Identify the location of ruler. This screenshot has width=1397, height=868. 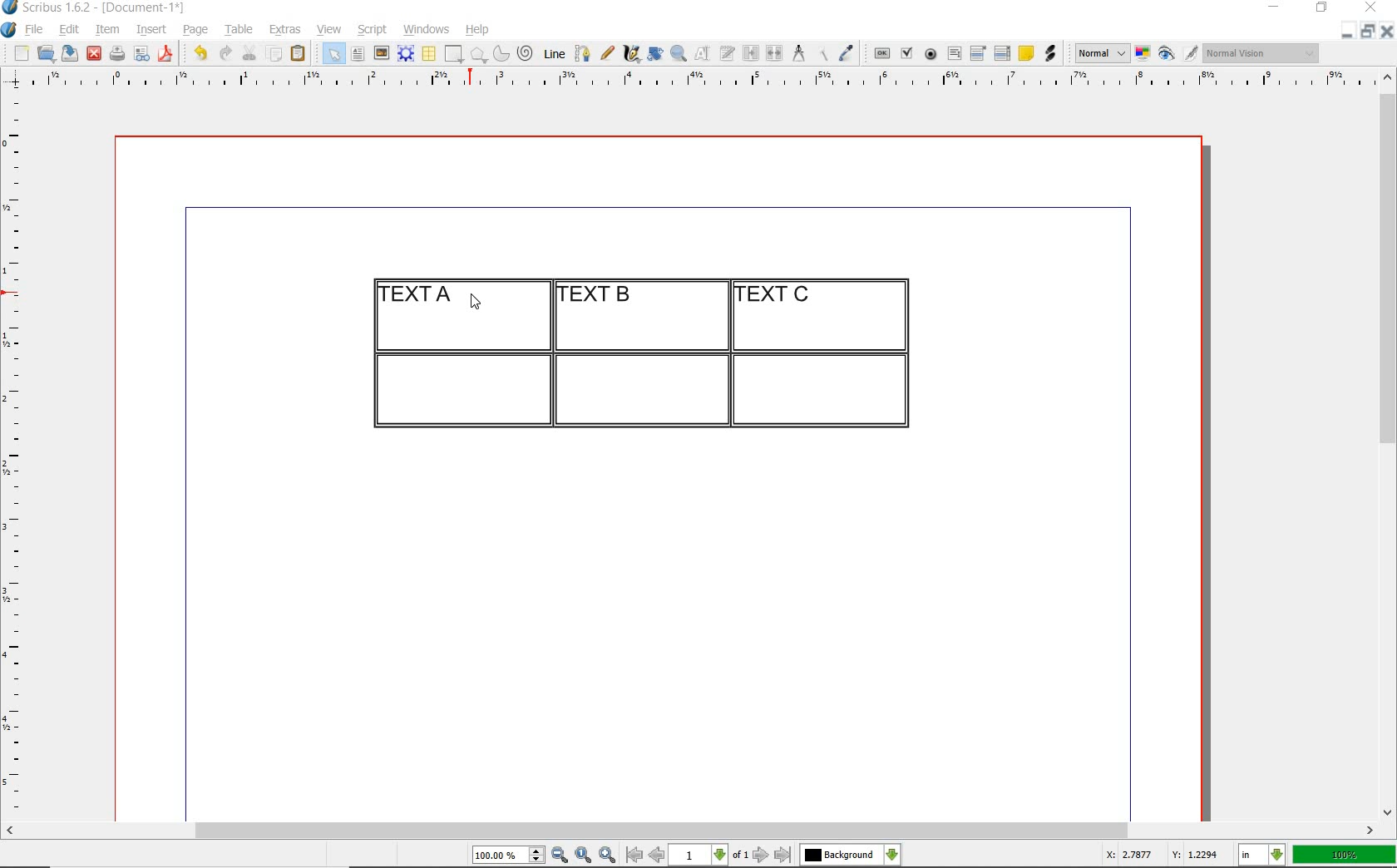
(18, 454).